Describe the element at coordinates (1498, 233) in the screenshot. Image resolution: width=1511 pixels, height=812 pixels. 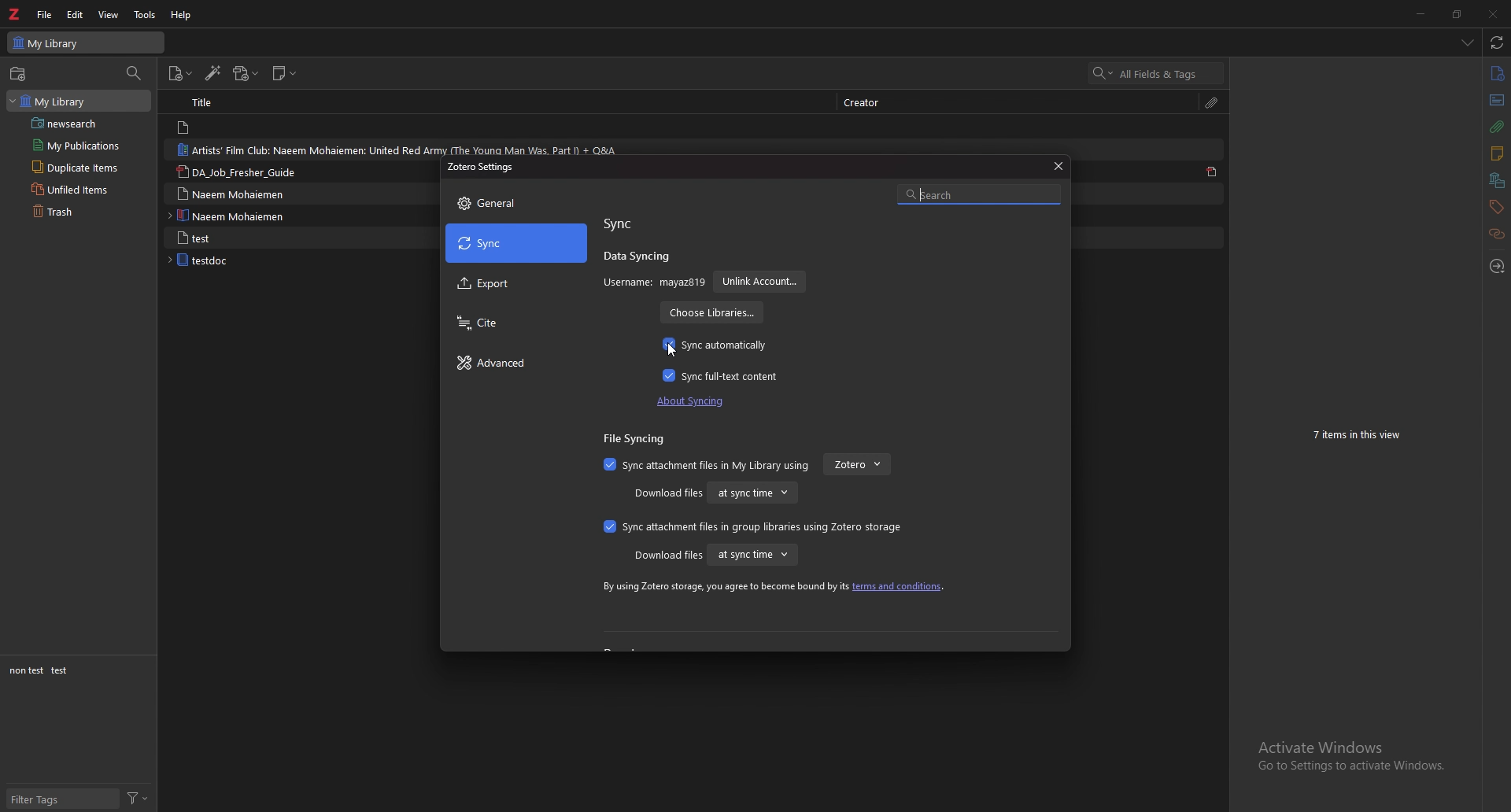
I see `related` at that location.